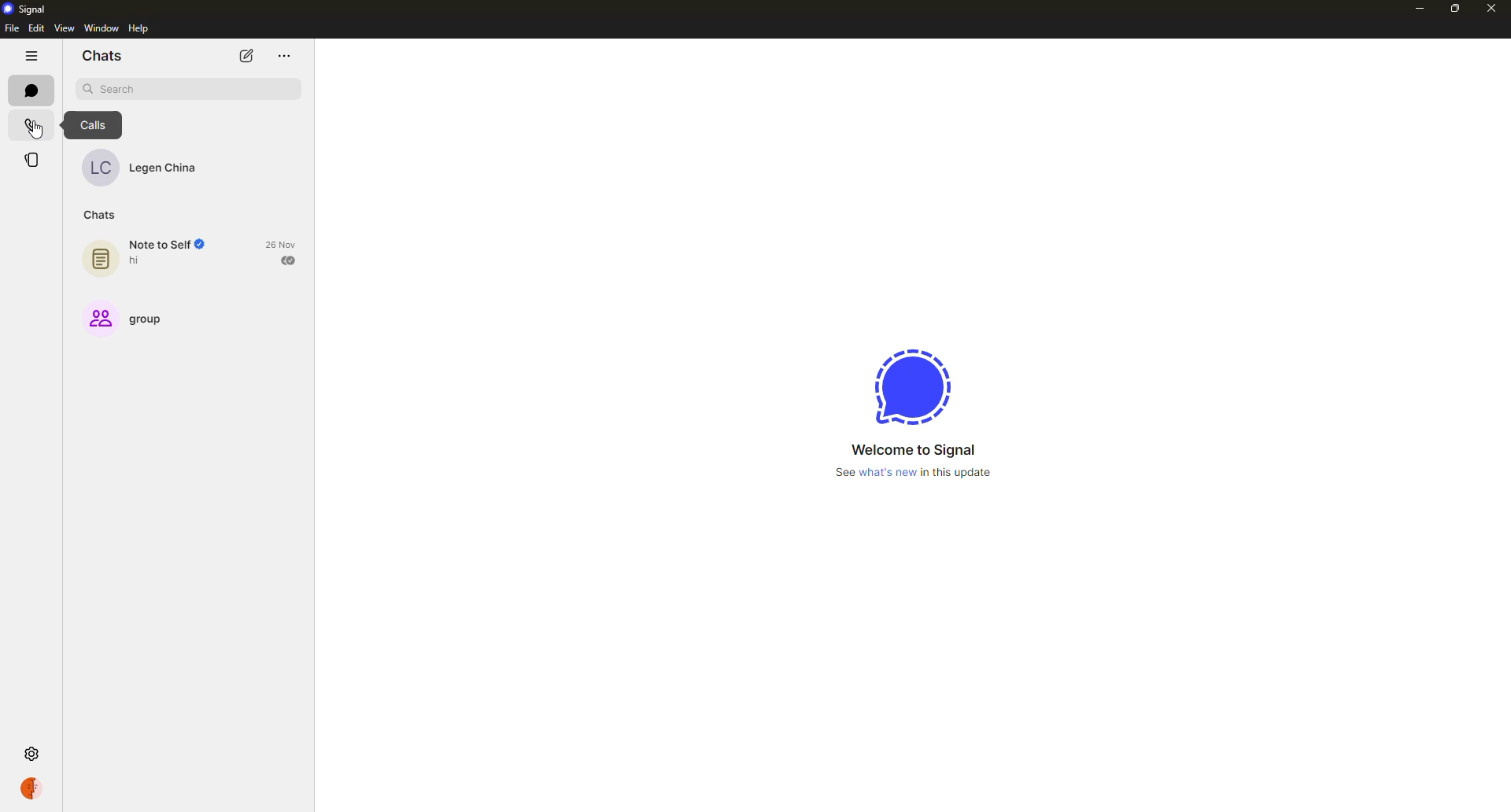 This screenshot has width=1511, height=812. I want to click on hide tabs, so click(31, 57).